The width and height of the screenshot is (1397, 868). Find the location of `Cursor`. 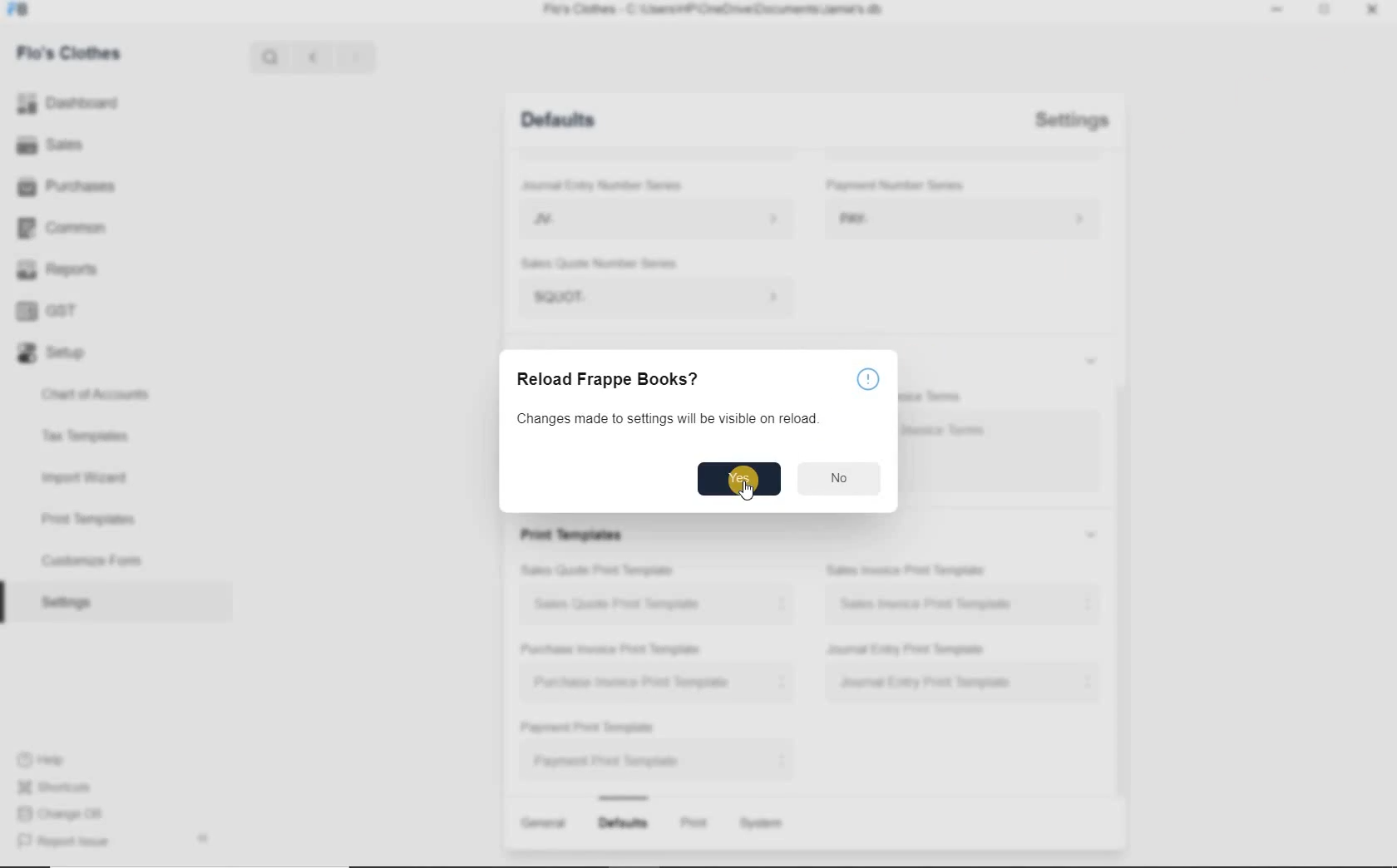

Cursor is located at coordinates (746, 489).